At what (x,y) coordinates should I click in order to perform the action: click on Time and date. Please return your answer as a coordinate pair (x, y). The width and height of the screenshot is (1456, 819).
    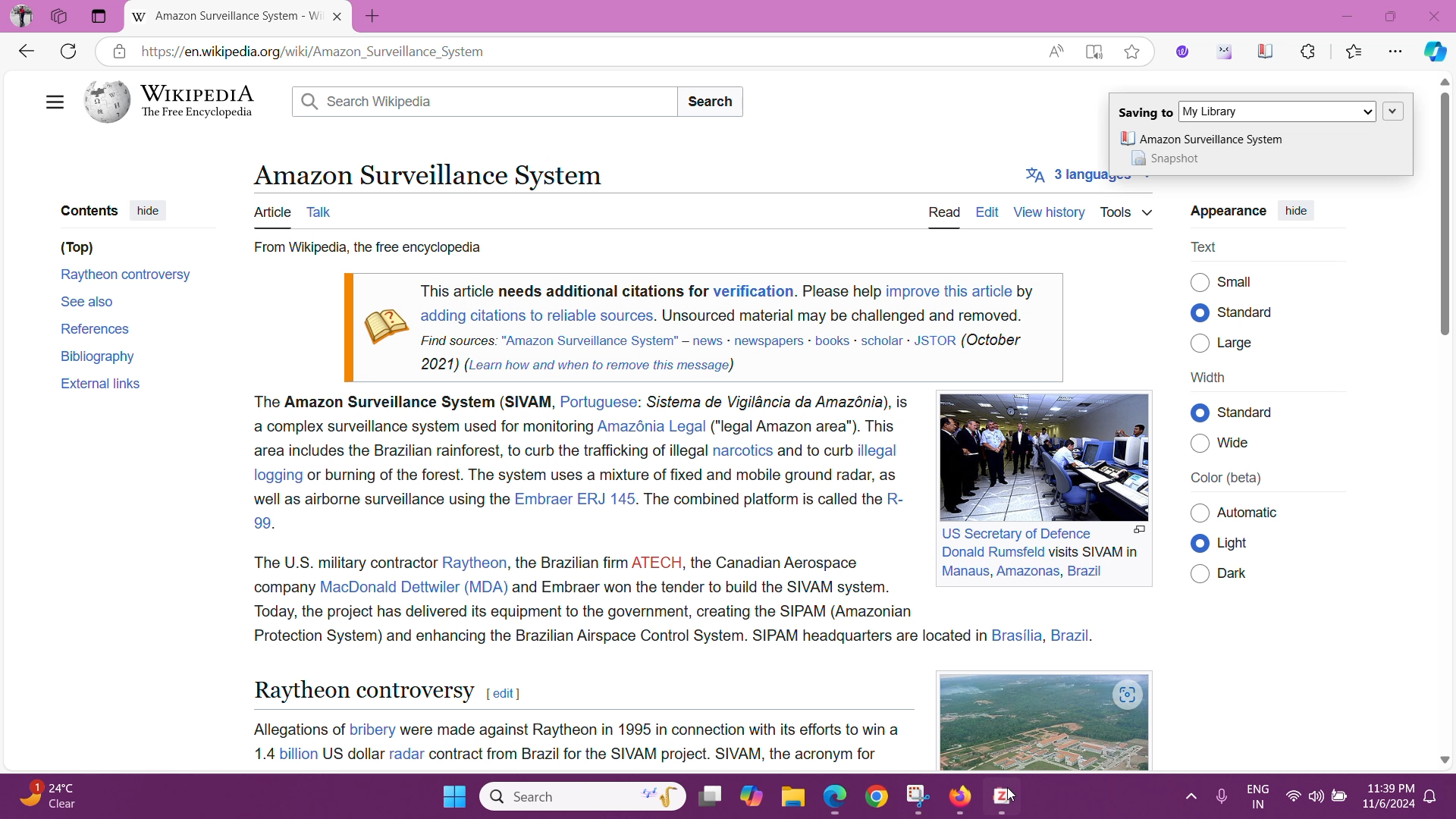
    Looking at the image, I should click on (1385, 799).